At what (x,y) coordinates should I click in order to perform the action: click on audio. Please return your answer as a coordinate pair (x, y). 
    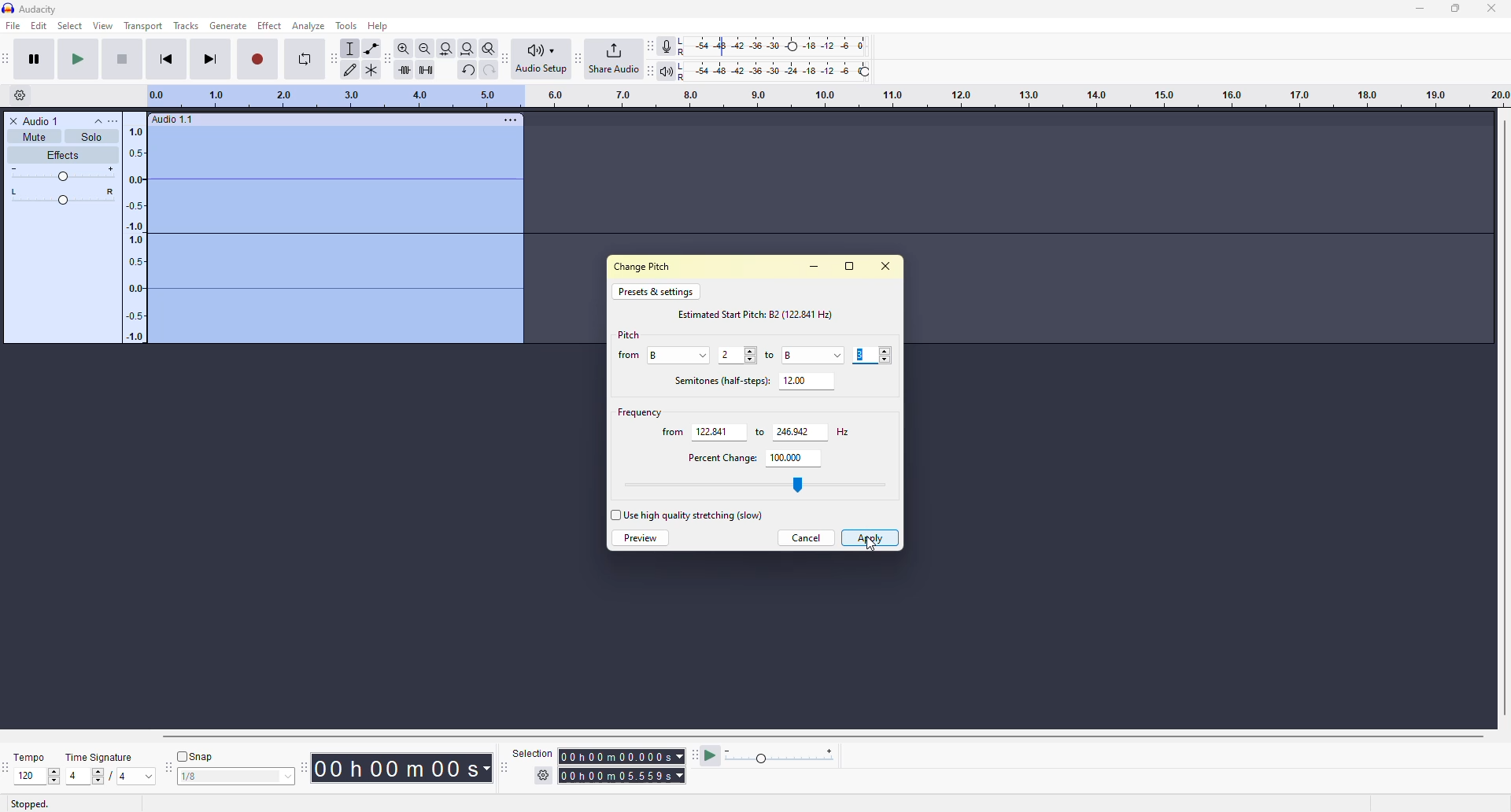
    Looking at the image, I should click on (173, 120).